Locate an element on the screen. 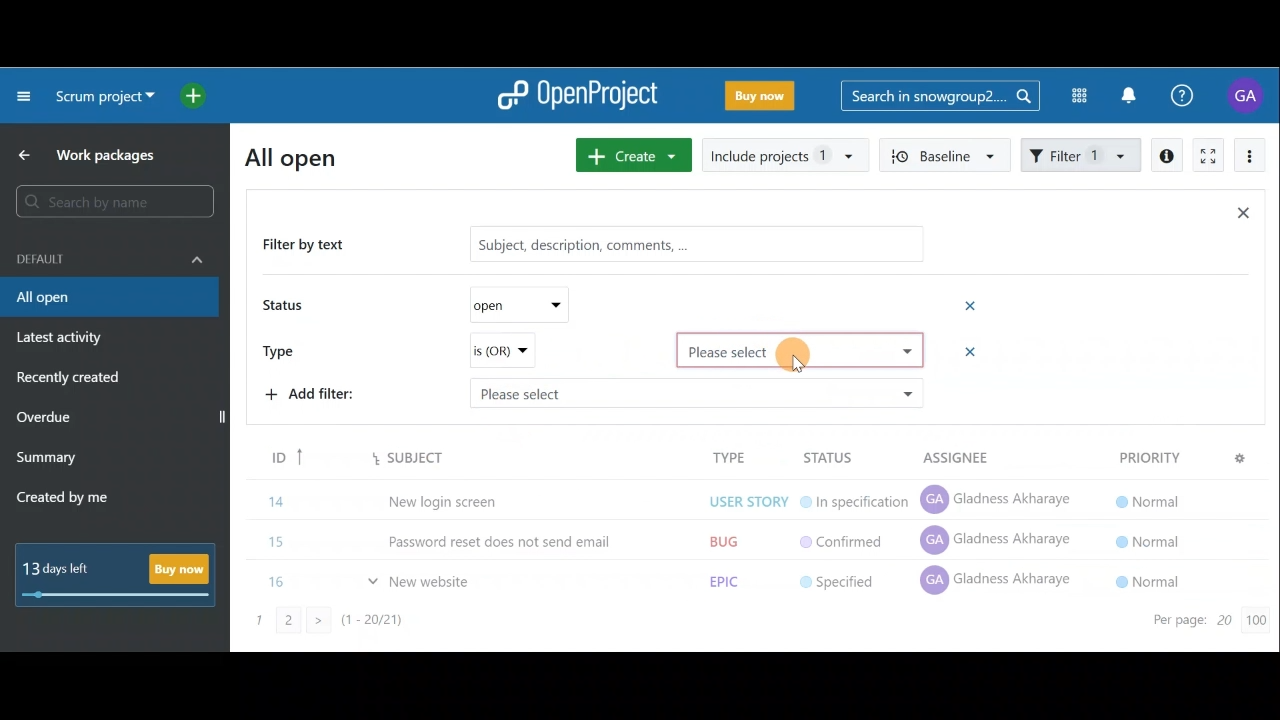 The width and height of the screenshot is (1280, 720). Collapse project menu is located at coordinates (25, 95).